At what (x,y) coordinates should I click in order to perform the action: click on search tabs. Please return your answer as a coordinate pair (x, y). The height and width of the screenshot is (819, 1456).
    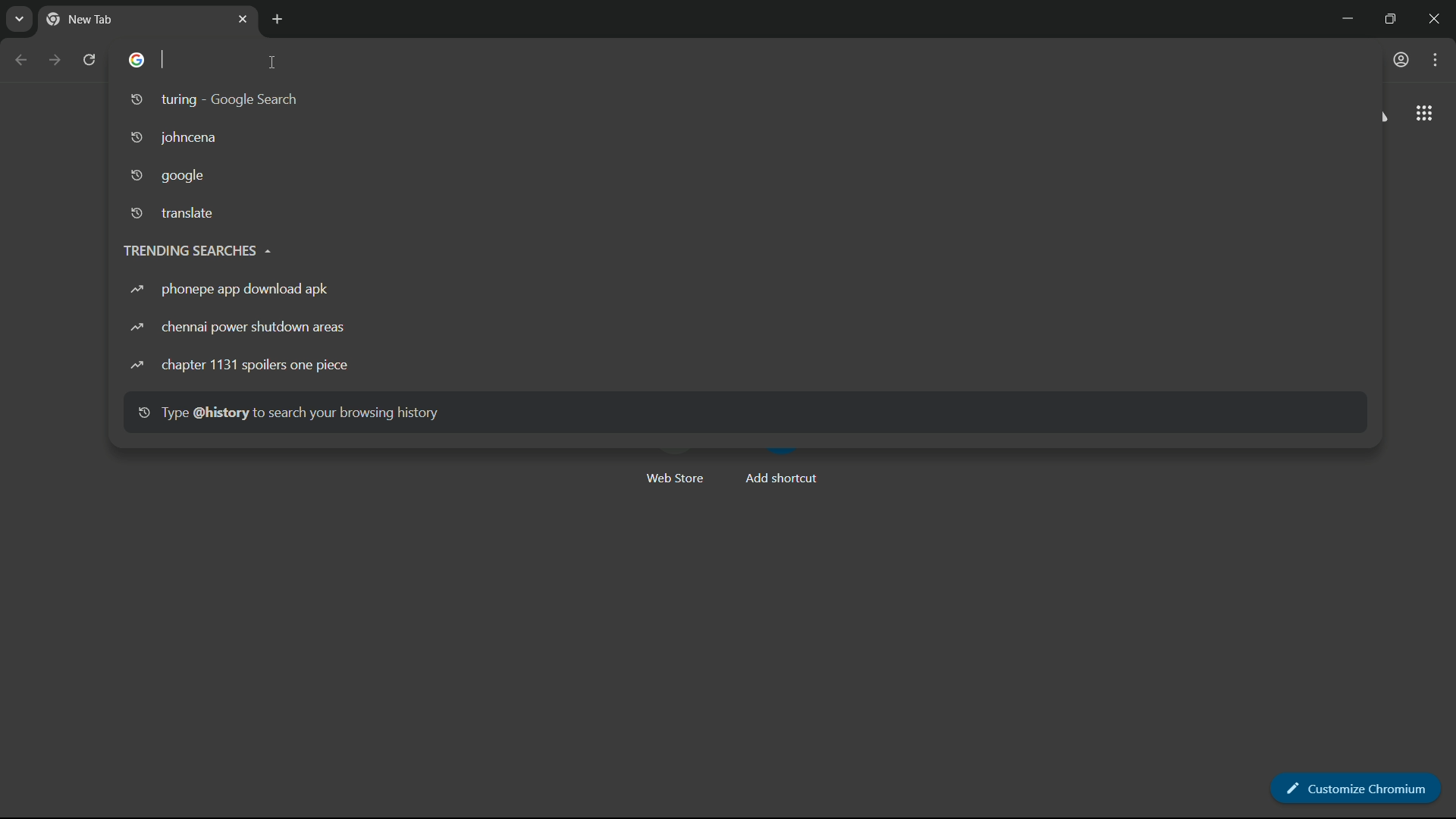
    Looking at the image, I should click on (20, 21).